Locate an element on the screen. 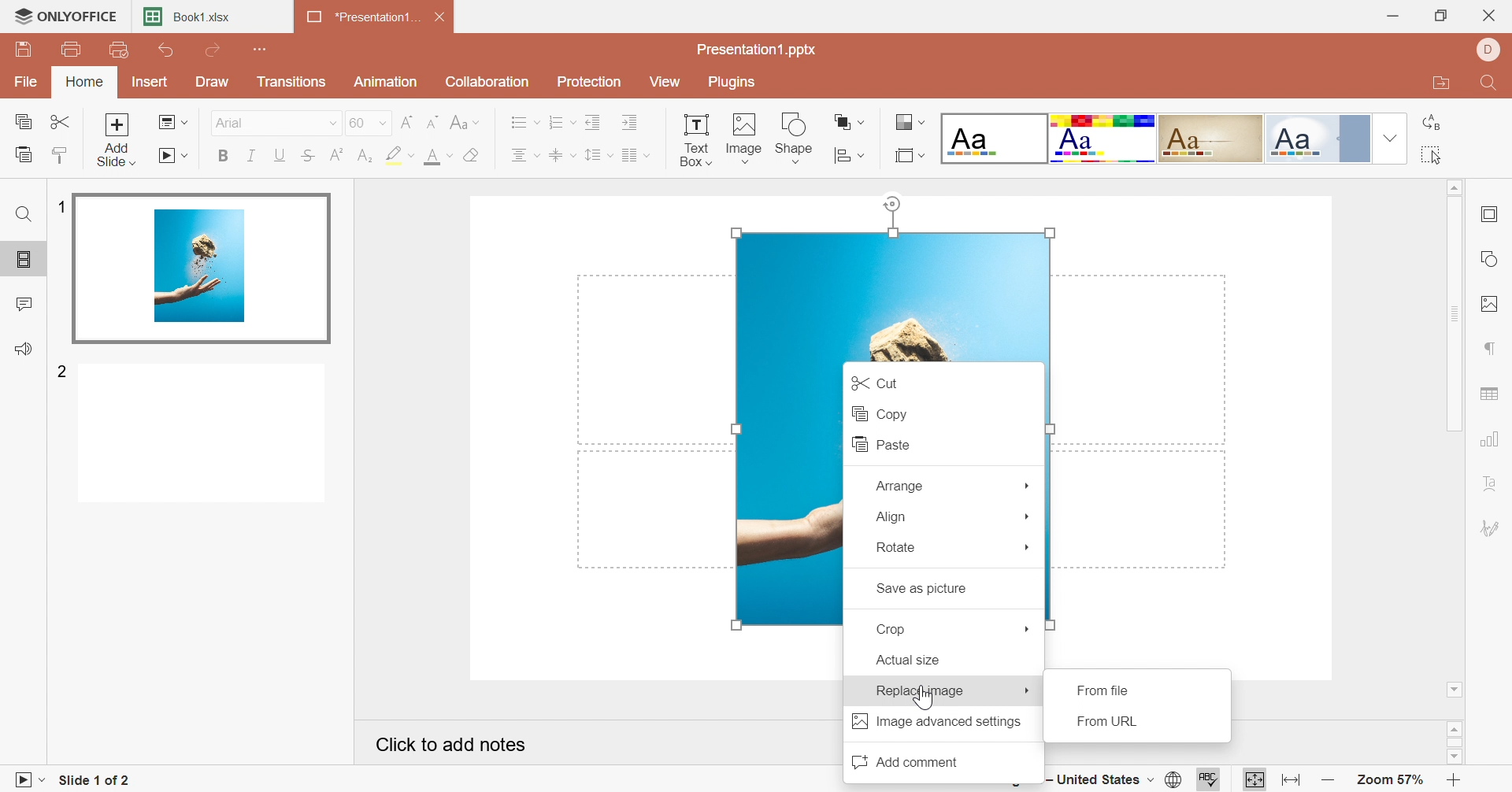 The image size is (1512, 792). Insert columns is located at coordinates (636, 154).